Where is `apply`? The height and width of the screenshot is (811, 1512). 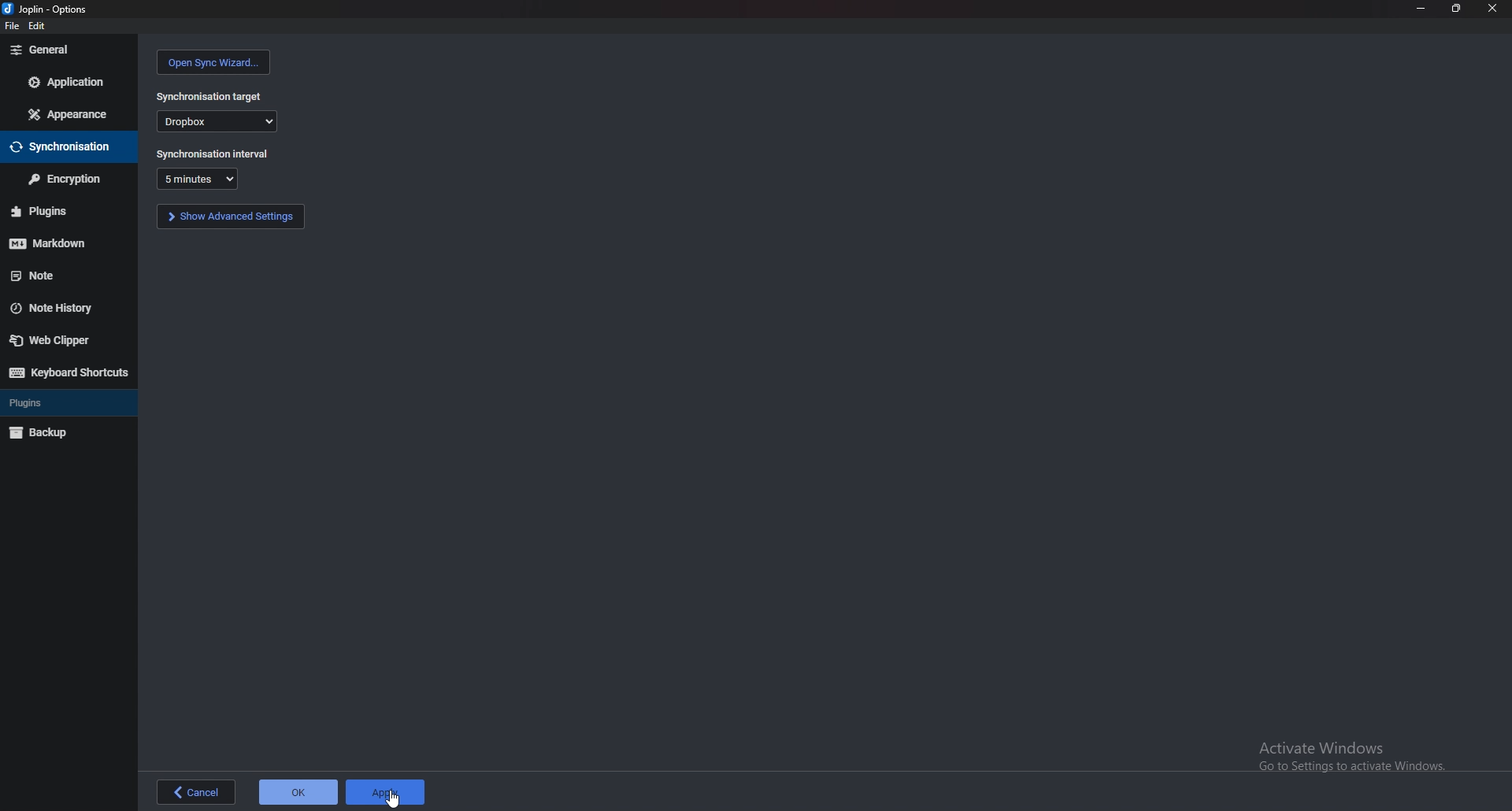
apply is located at coordinates (387, 793).